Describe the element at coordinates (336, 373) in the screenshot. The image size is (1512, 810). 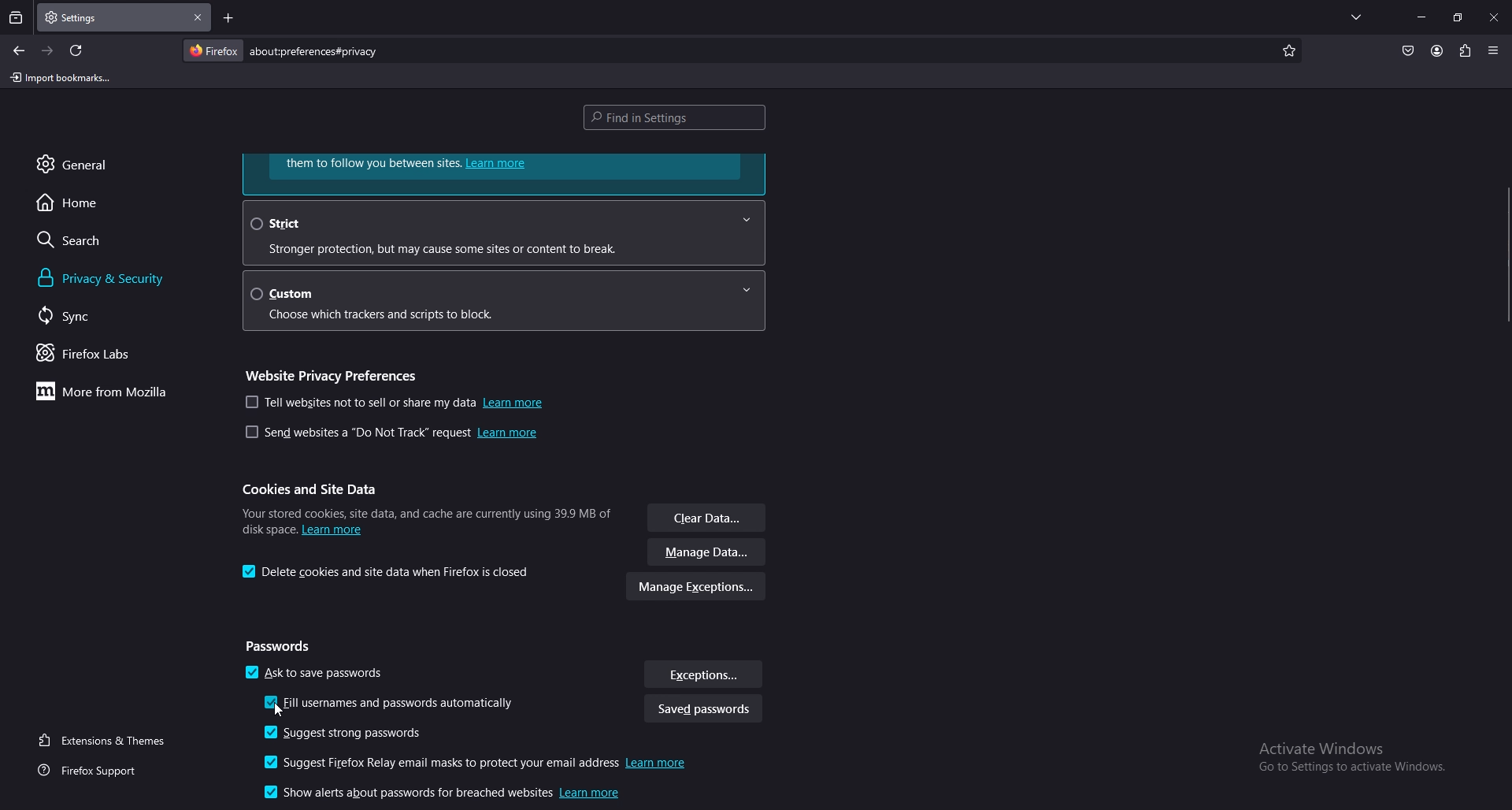
I see `website privacy preference` at that location.